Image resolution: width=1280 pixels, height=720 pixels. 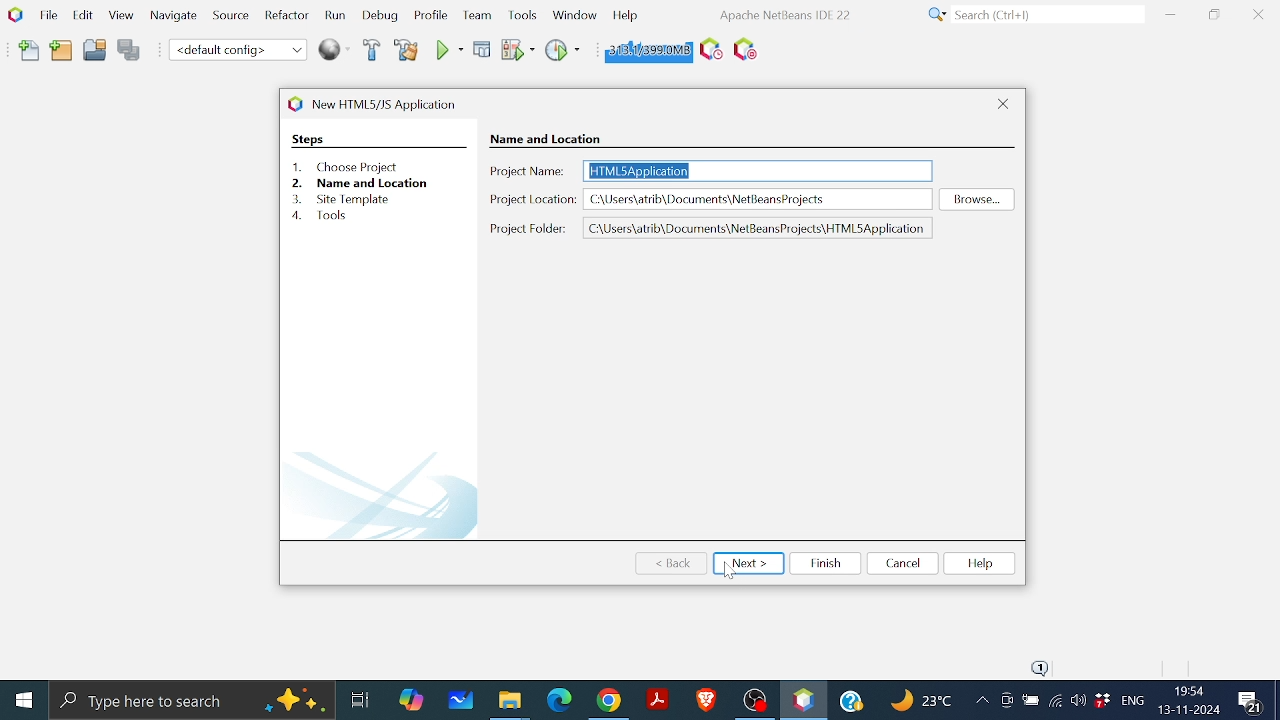 I want to click on Default coding, so click(x=238, y=49).